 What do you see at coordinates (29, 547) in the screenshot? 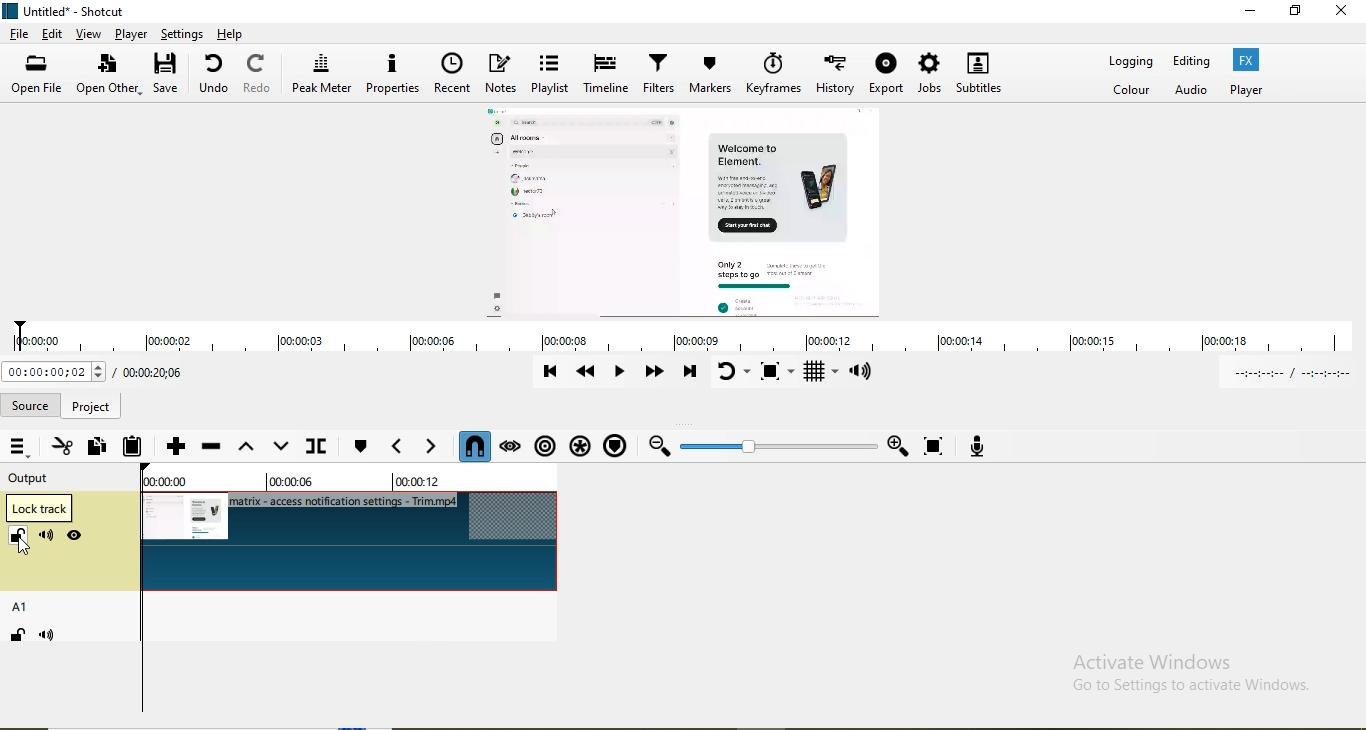
I see `cursor` at bounding box center [29, 547].